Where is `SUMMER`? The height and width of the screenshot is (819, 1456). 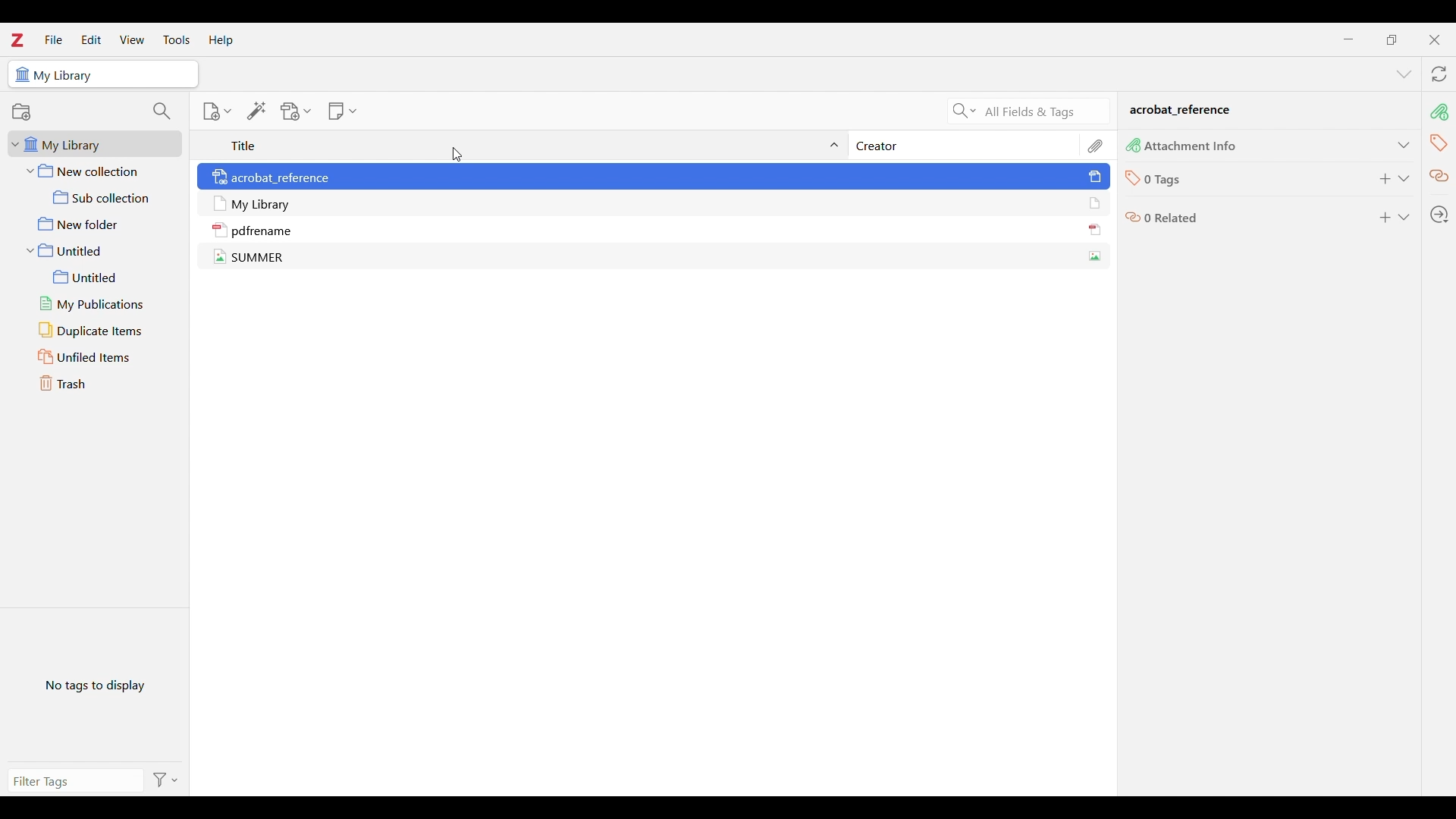 SUMMER is located at coordinates (259, 257).